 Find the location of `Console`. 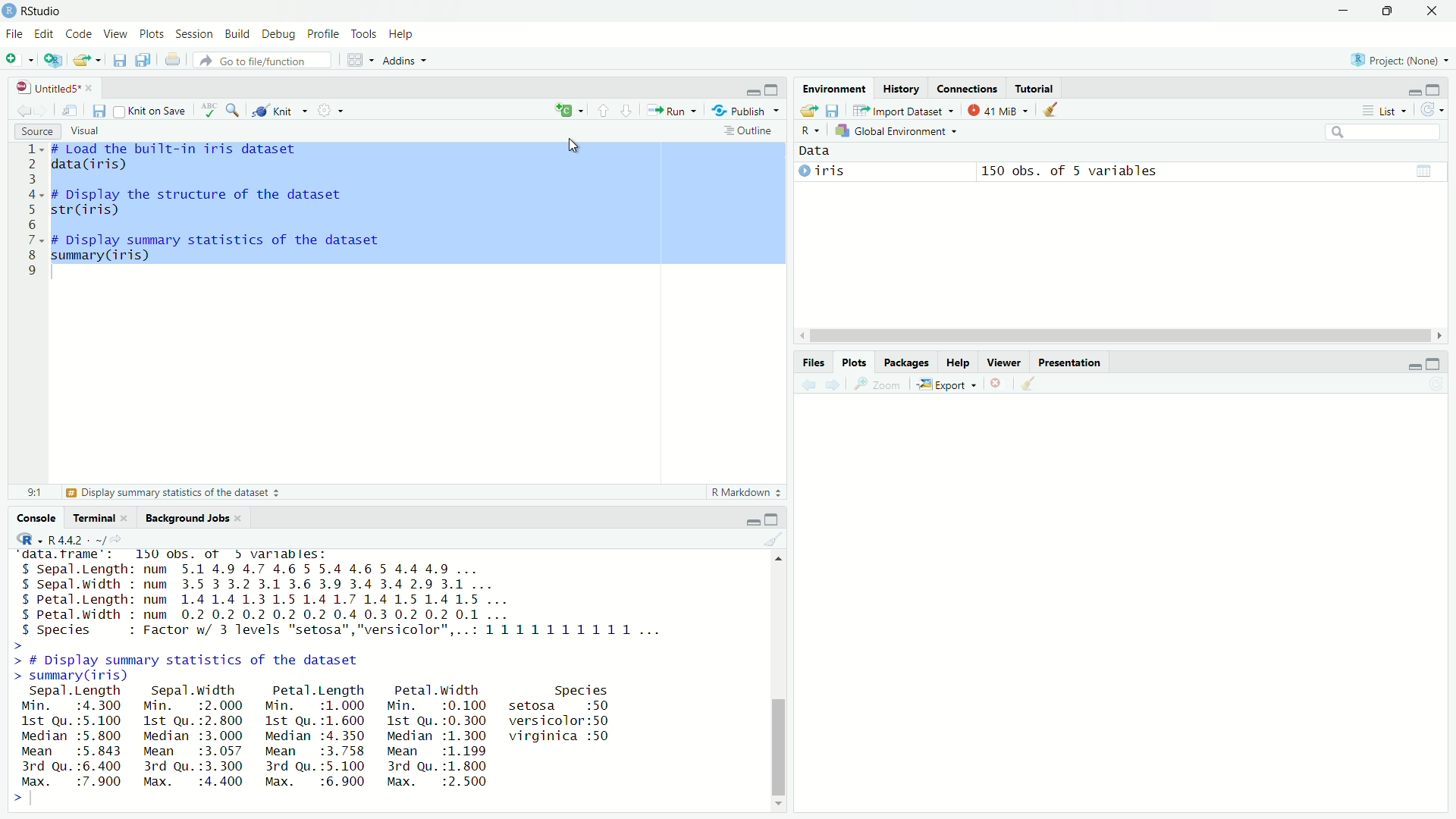

Console is located at coordinates (35, 518).